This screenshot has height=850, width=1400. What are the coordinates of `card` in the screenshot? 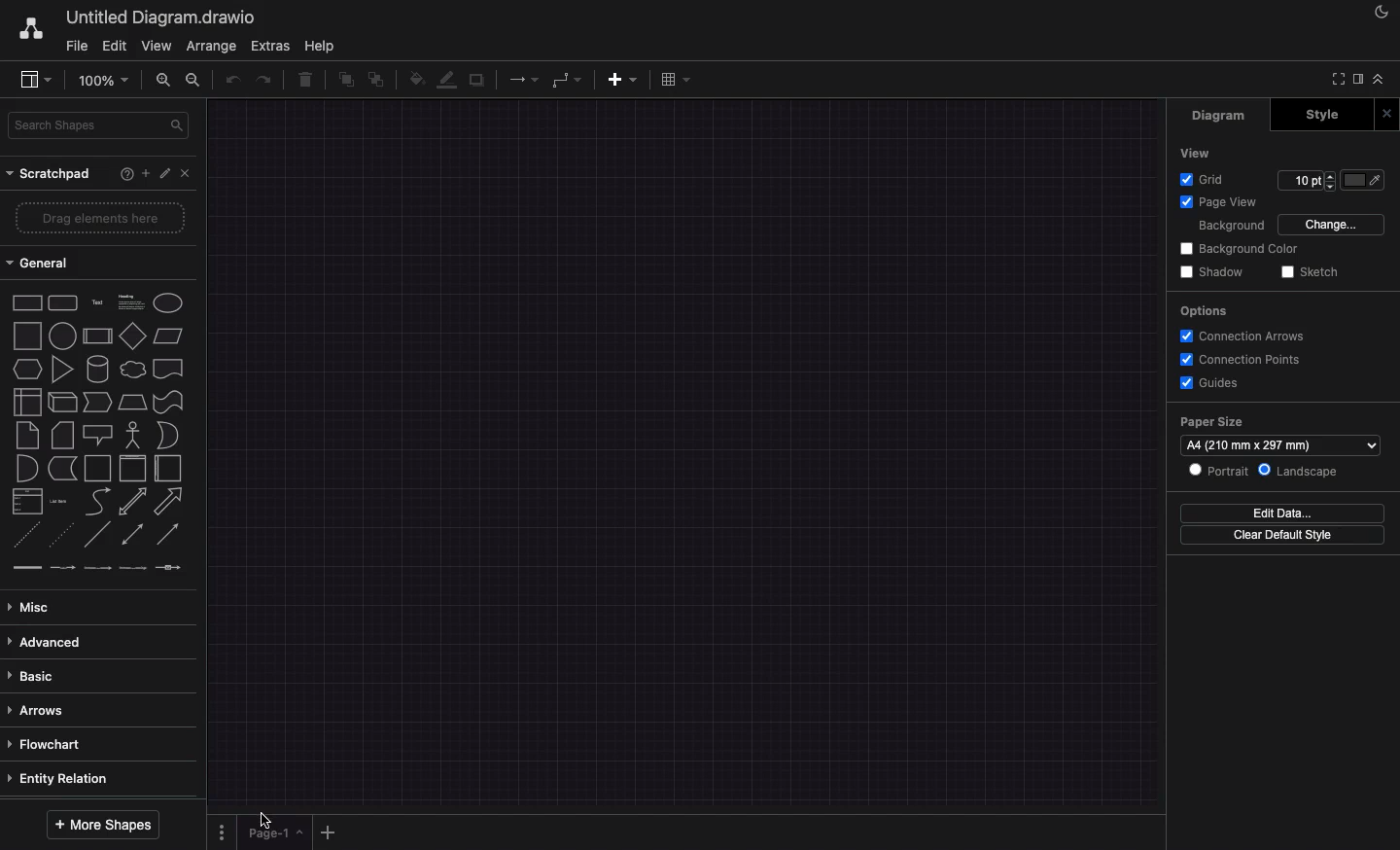 It's located at (63, 435).